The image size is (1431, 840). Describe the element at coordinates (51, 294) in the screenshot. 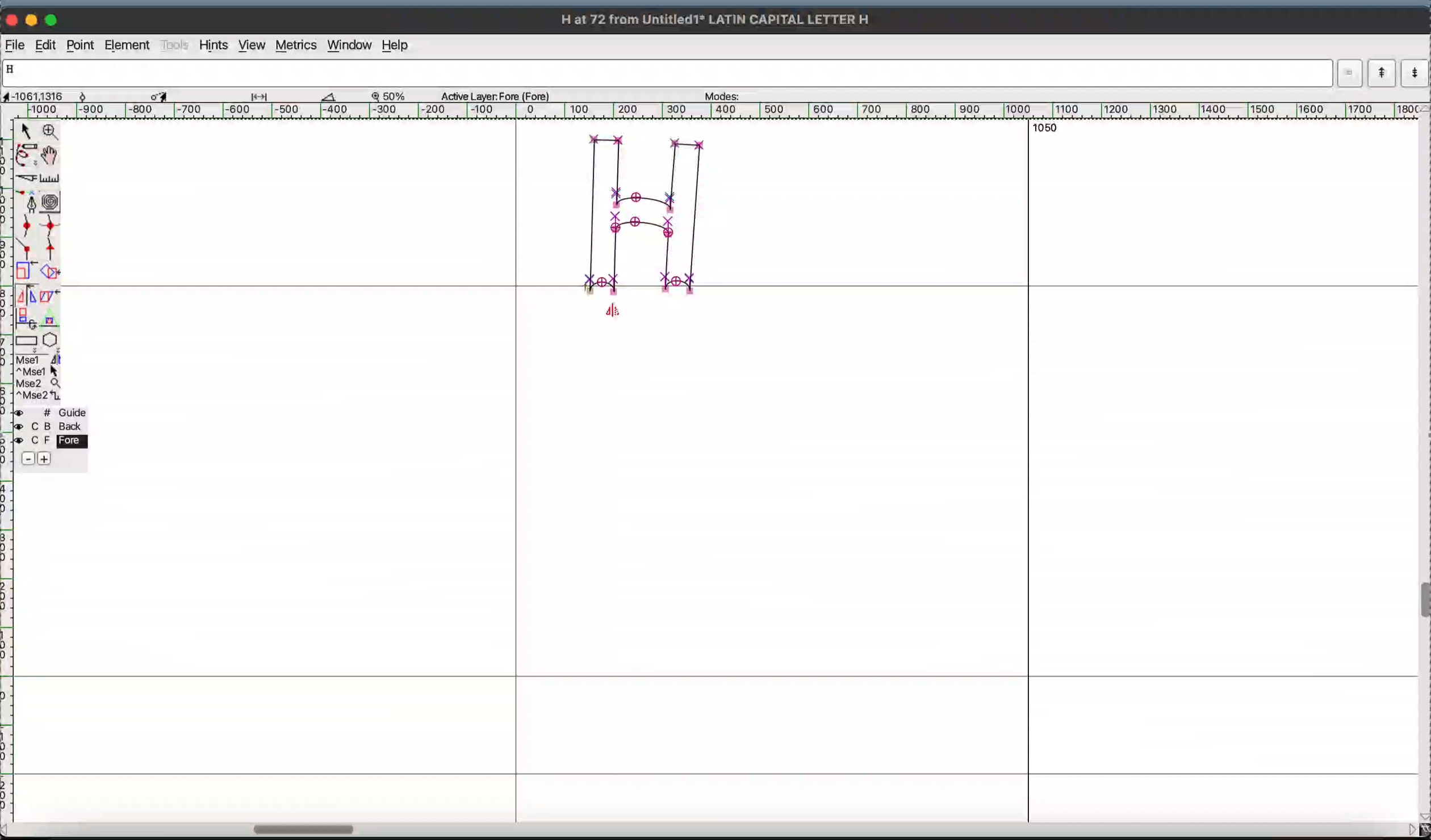

I see `skew` at that location.